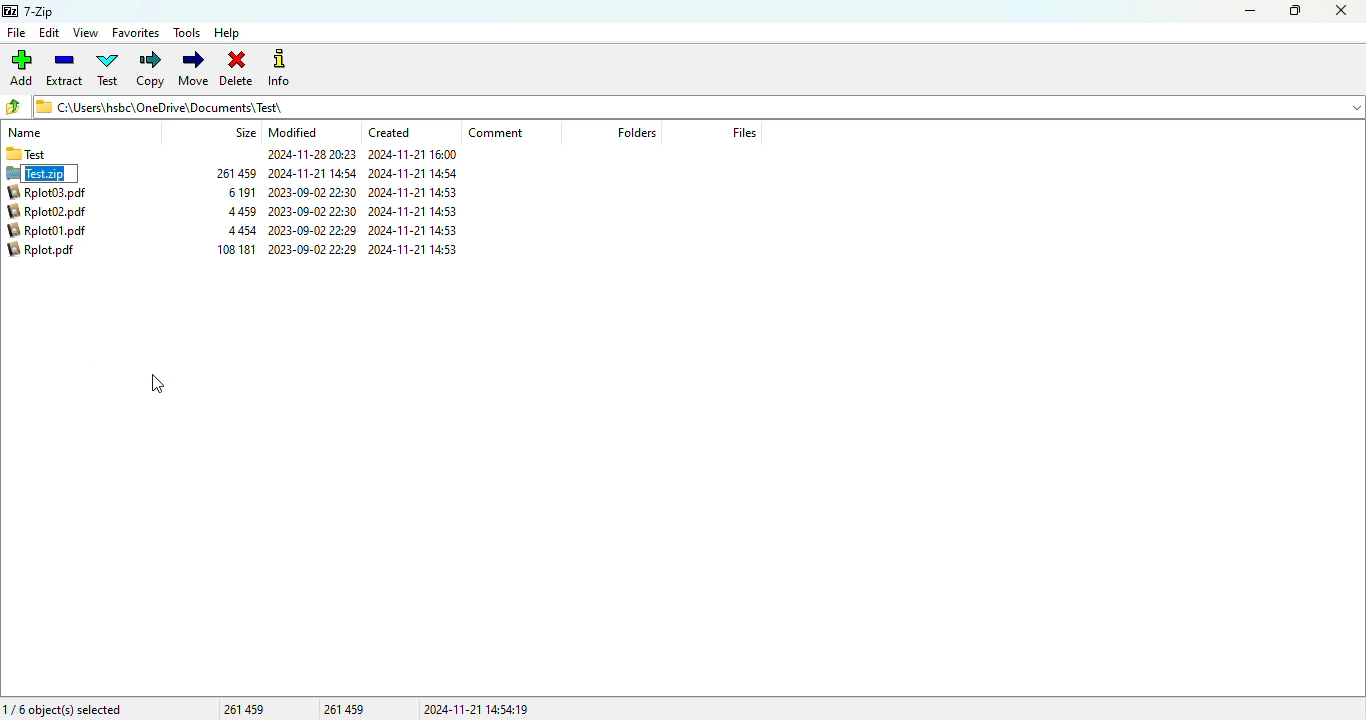  What do you see at coordinates (241, 211) in the screenshot?
I see `4 459` at bounding box center [241, 211].